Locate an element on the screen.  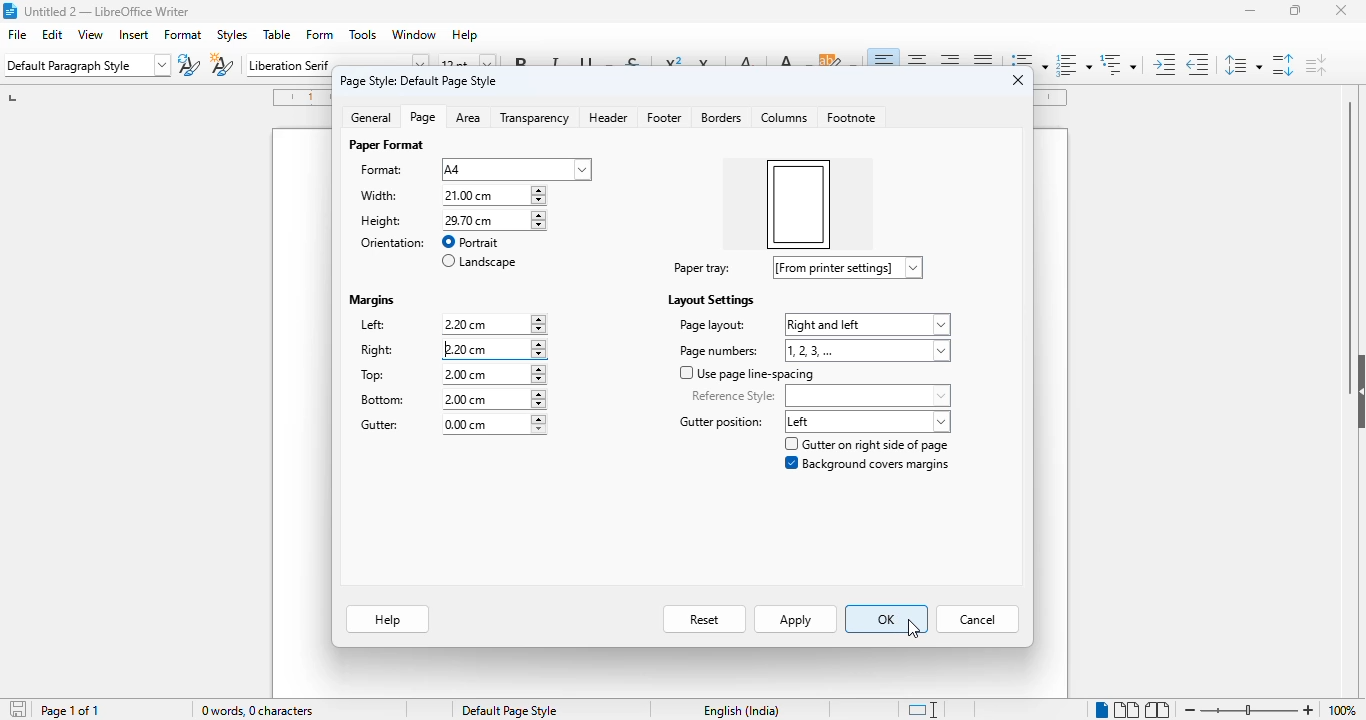
paper format is located at coordinates (388, 146).